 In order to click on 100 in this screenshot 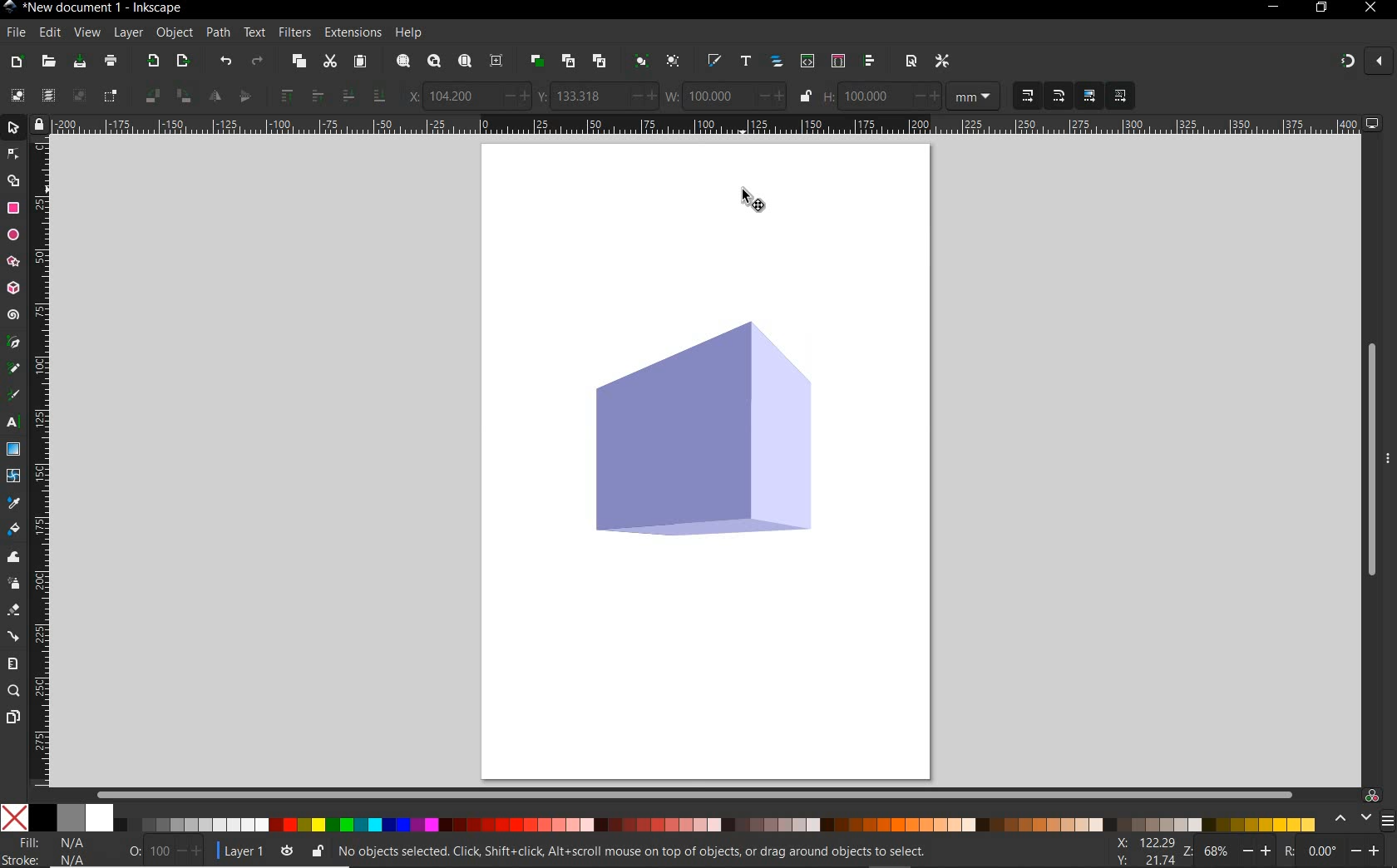, I will do `click(159, 851)`.